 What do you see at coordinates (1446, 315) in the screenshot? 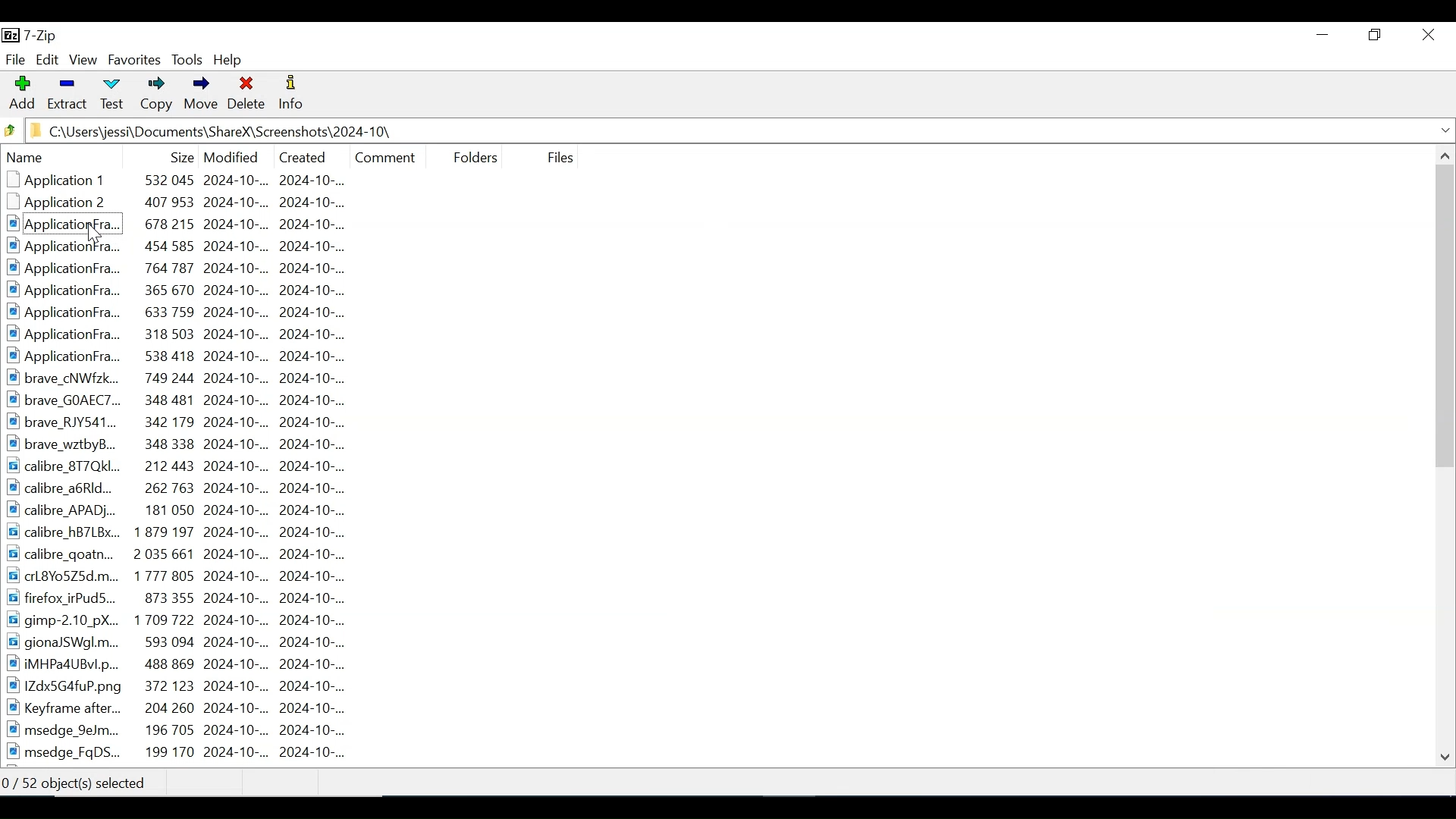
I see `Vertical Scroll bar` at bounding box center [1446, 315].